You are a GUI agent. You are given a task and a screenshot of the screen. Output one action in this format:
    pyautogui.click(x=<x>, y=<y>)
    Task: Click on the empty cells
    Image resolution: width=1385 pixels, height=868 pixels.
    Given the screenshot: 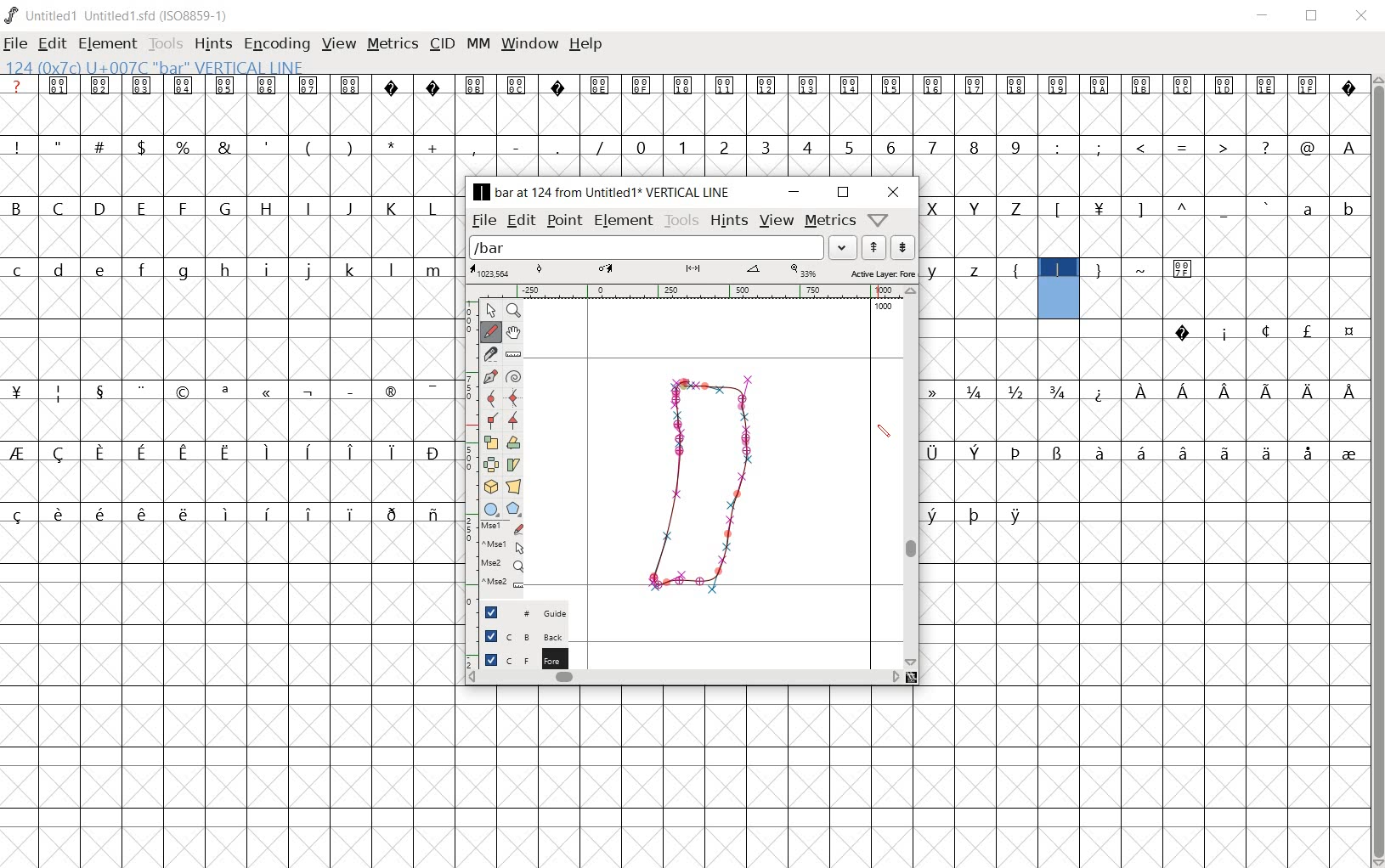 What is the action you would take?
    pyautogui.click(x=231, y=301)
    